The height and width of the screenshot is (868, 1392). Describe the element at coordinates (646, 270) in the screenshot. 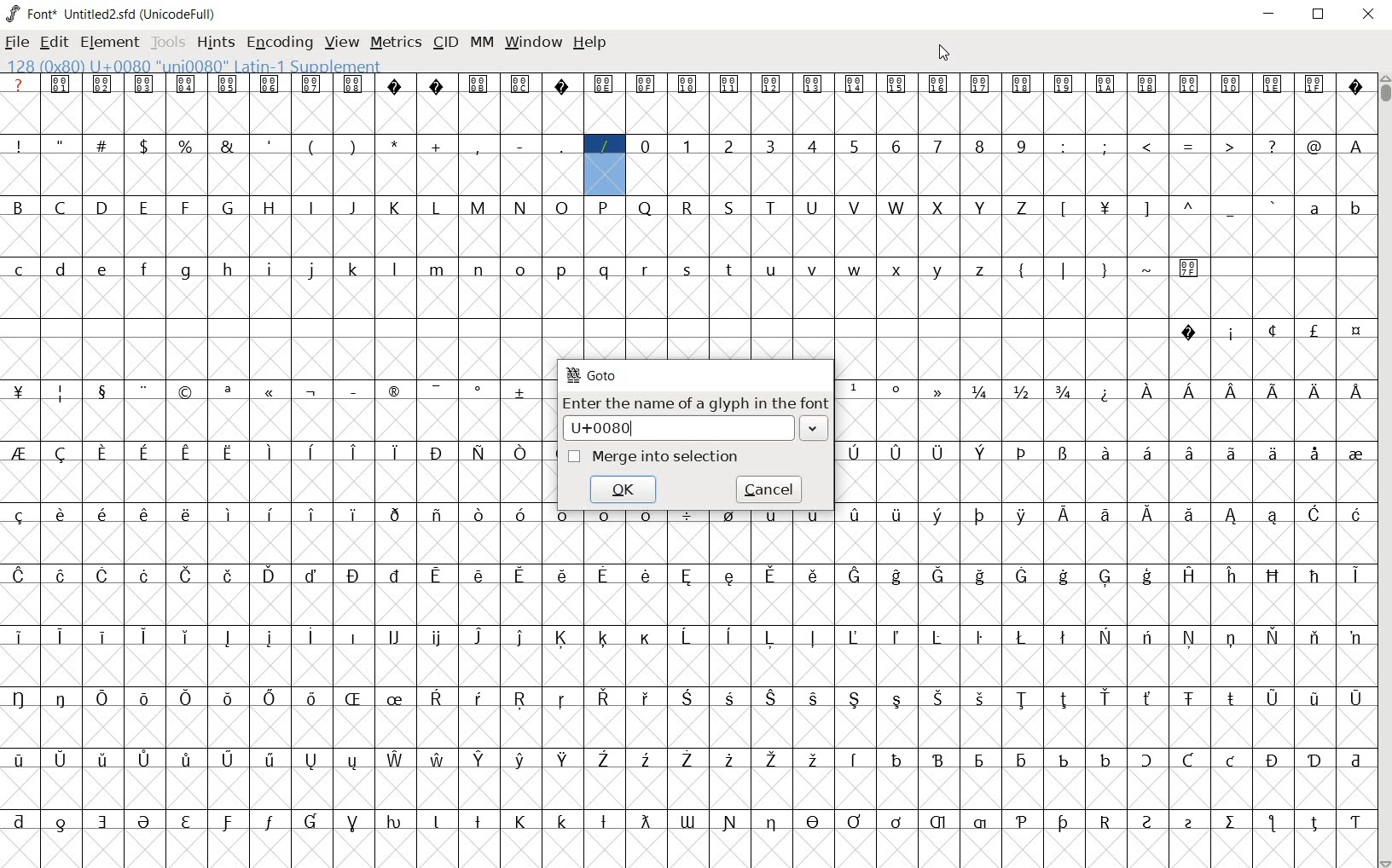

I see `glyph` at that location.